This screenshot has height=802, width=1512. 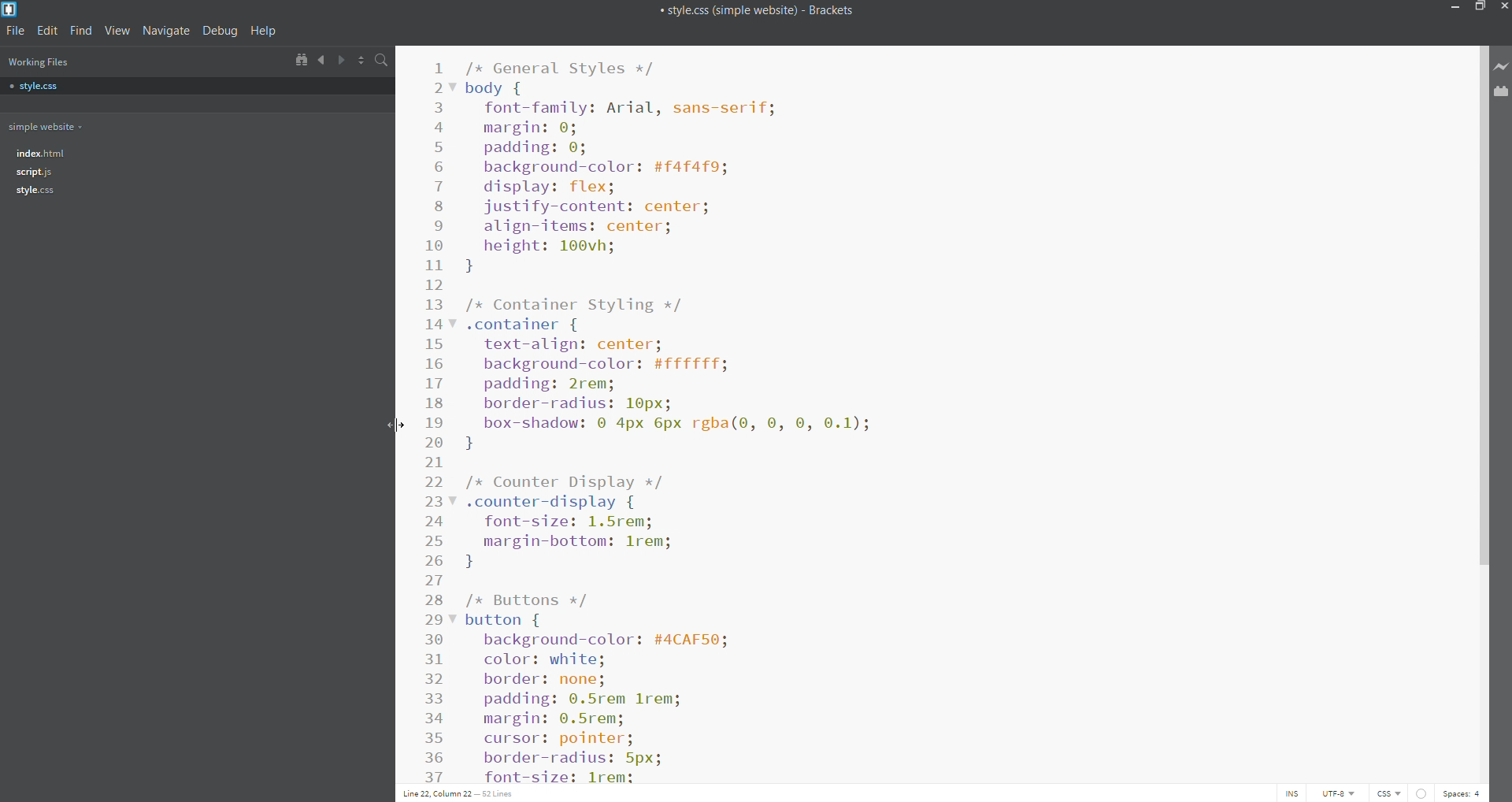 I want to click on file tree- script.js, so click(x=35, y=173).